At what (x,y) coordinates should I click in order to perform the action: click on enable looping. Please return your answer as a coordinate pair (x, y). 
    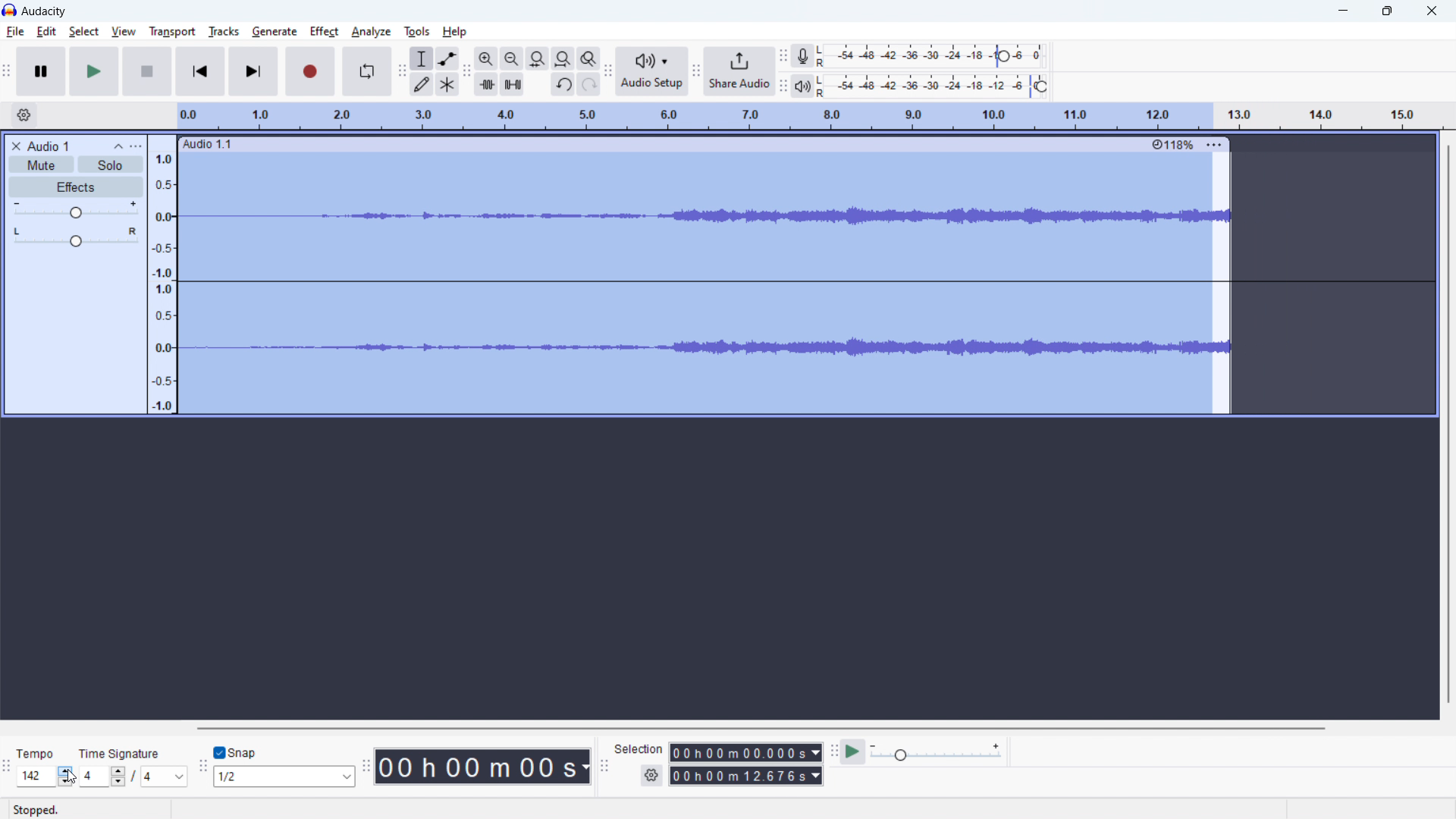
    Looking at the image, I should click on (367, 71).